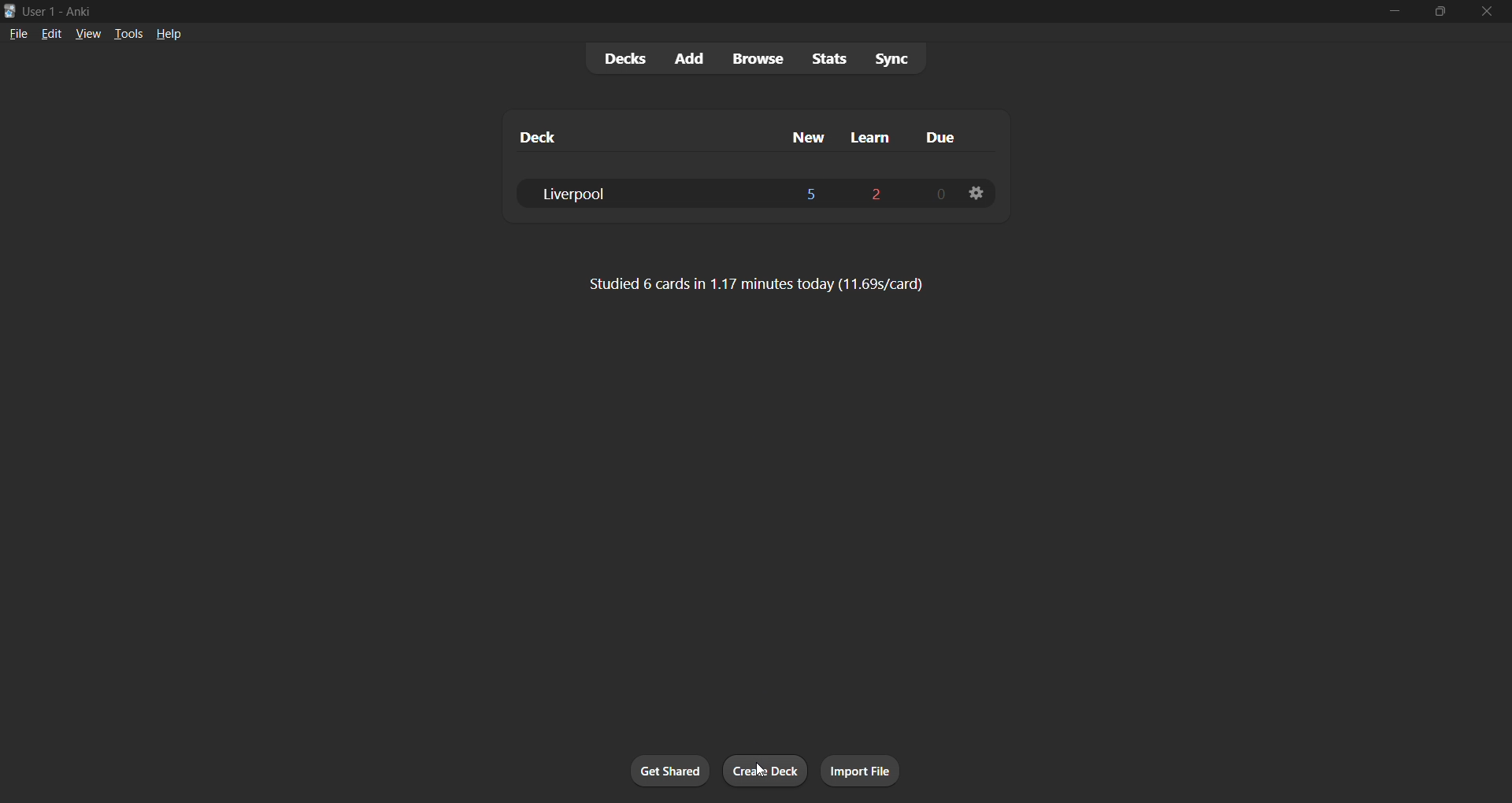 The width and height of the screenshot is (1512, 803). Describe the element at coordinates (832, 57) in the screenshot. I see `stats` at that location.